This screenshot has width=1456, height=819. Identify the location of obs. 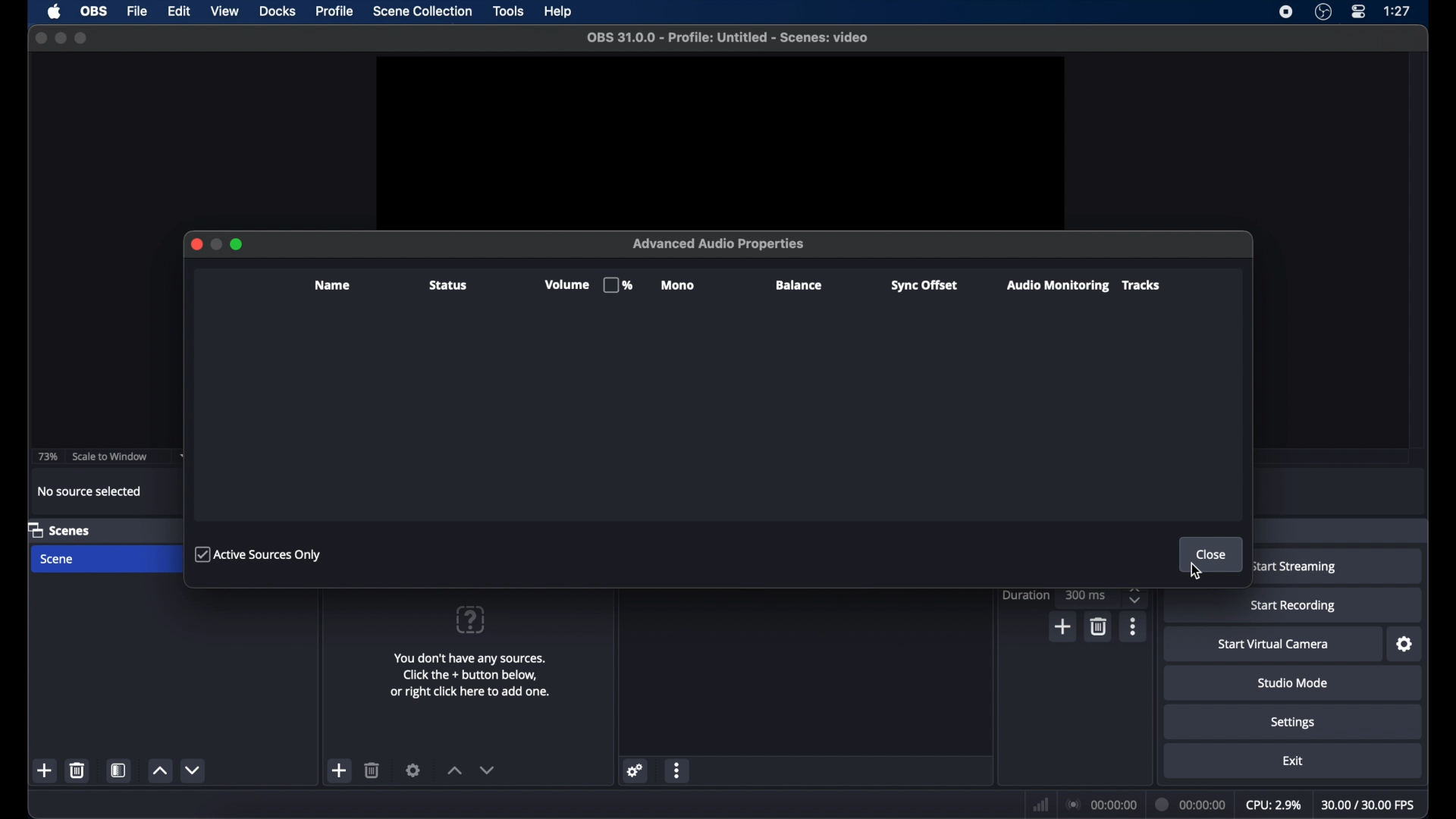
(94, 12).